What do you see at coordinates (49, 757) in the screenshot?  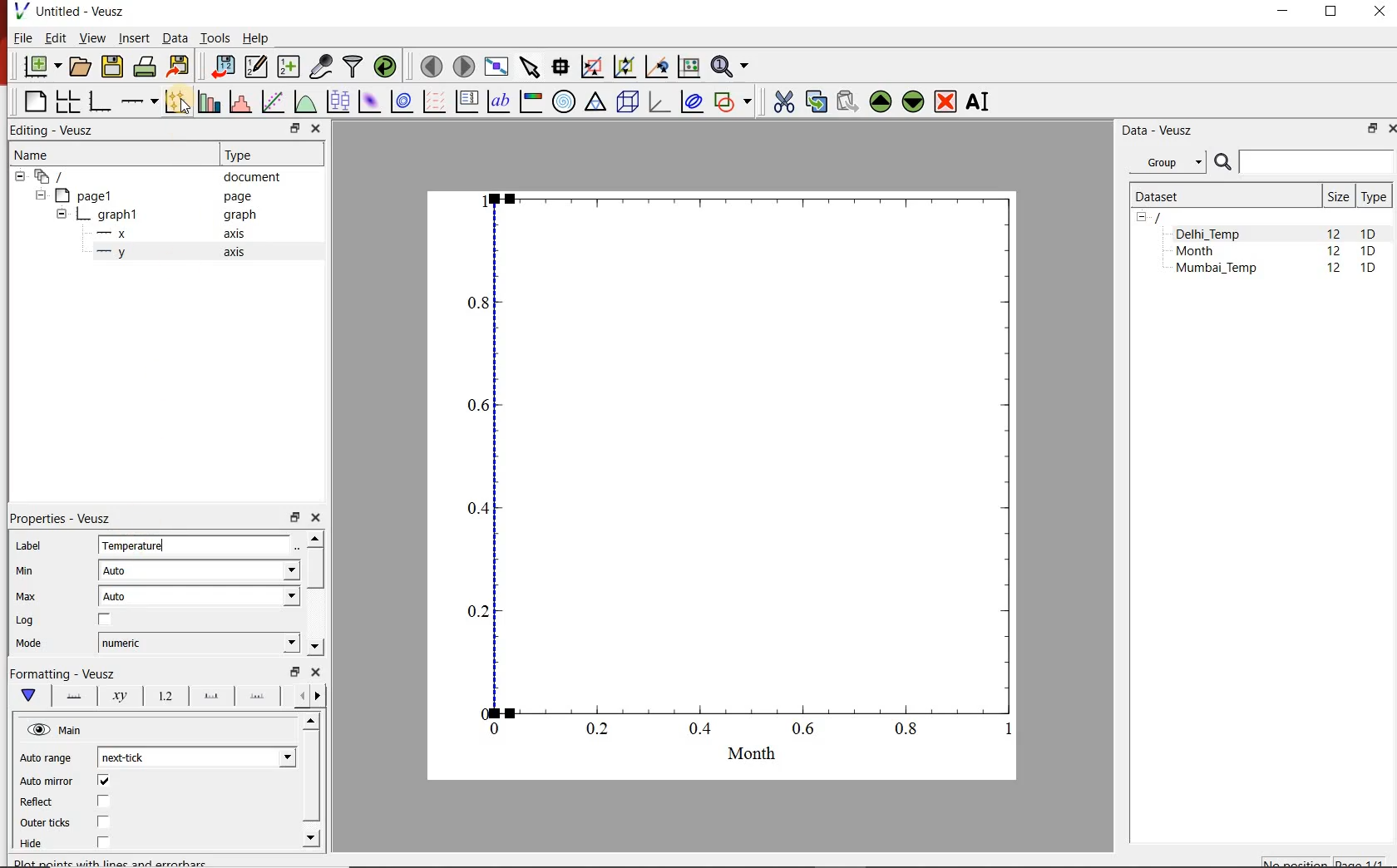 I see `Auto range` at bounding box center [49, 757].